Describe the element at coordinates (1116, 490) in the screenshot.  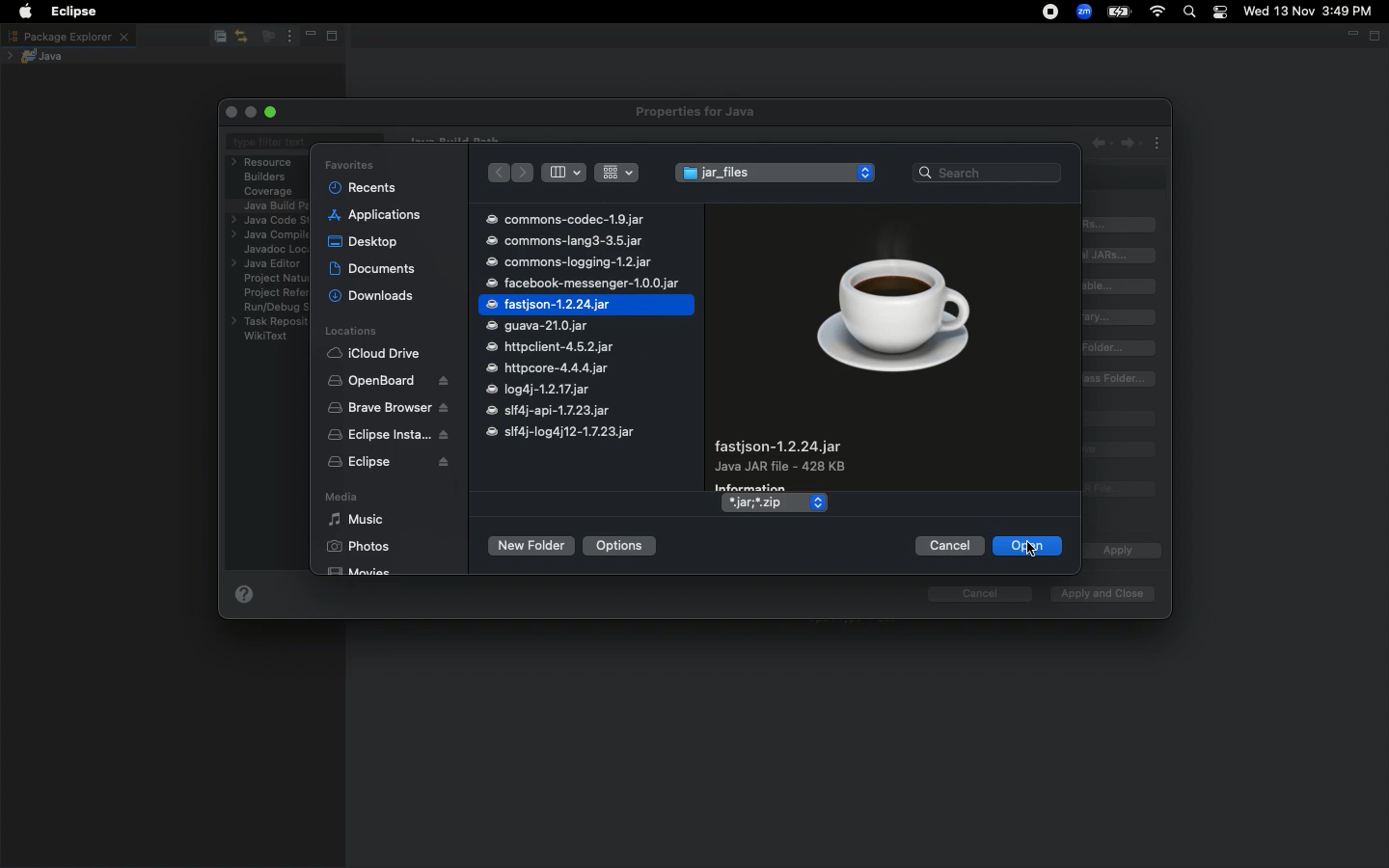
I see `Migrate JAR file` at that location.